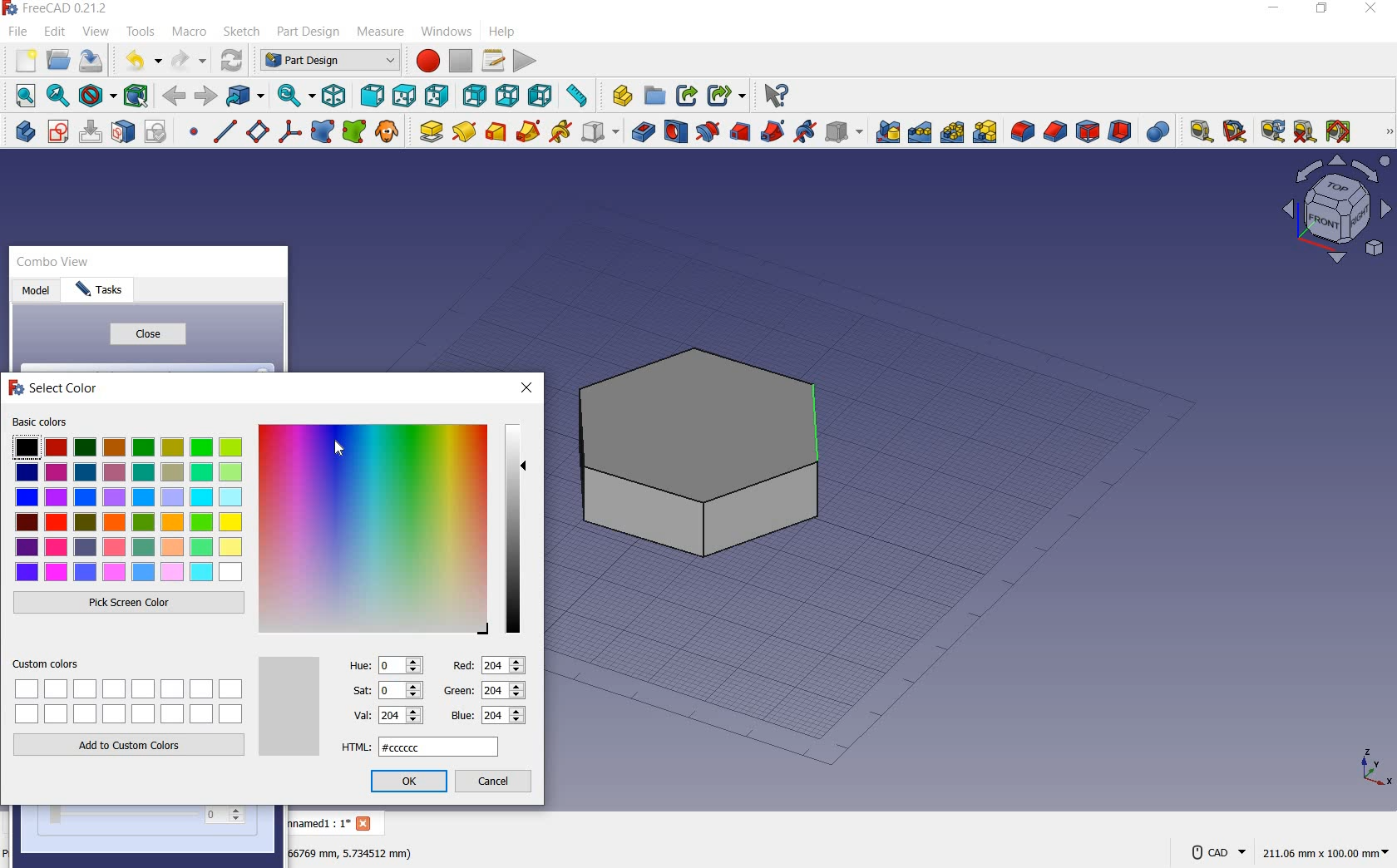  Describe the element at coordinates (1323, 11) in the screenshot. I see `RESTORE DOWN` at that location.